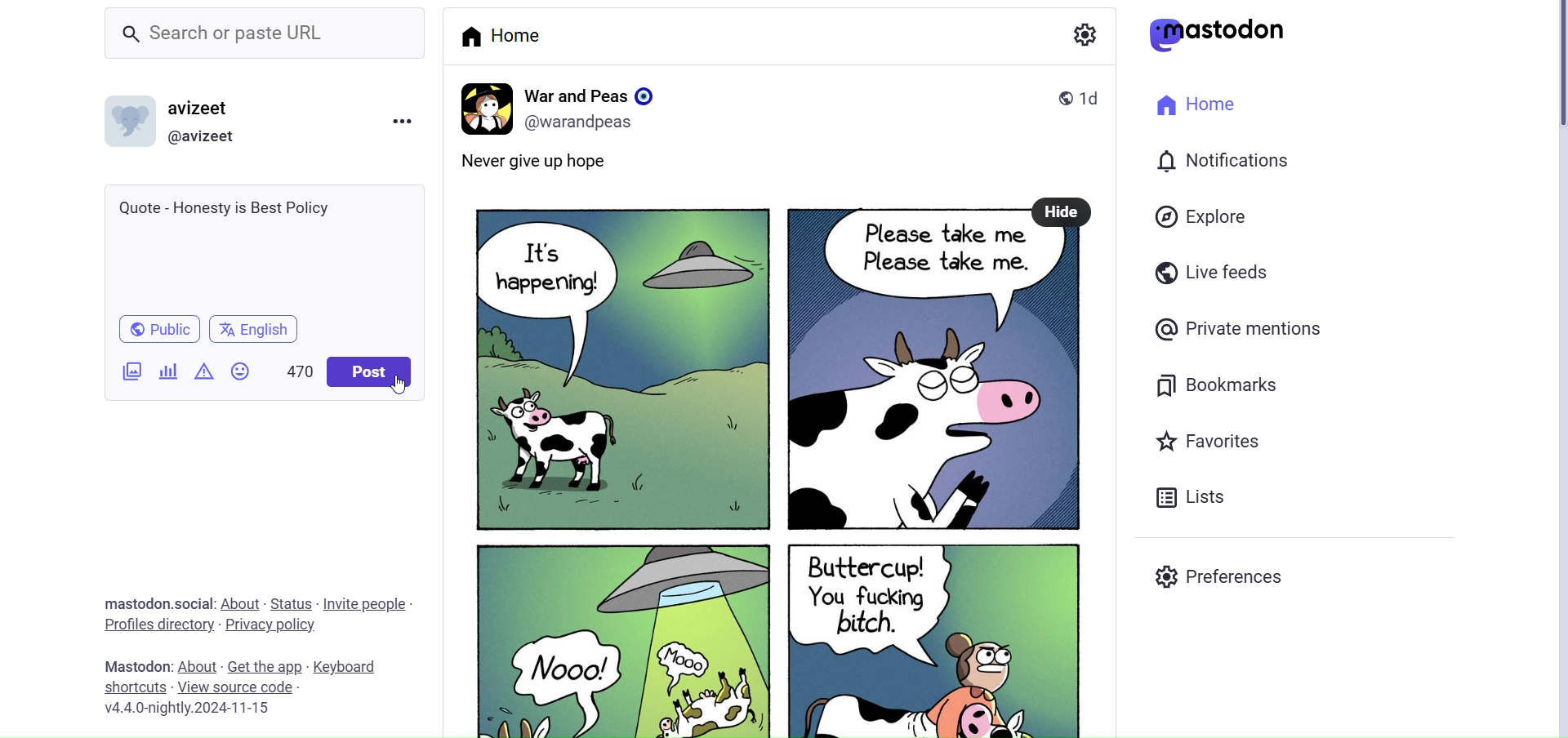 This screenshot has height=738, width=1568. What do you see at coordinates (132, 687) in the screenshot?
I see `Shortcuts` at bounding box center [132, 687].